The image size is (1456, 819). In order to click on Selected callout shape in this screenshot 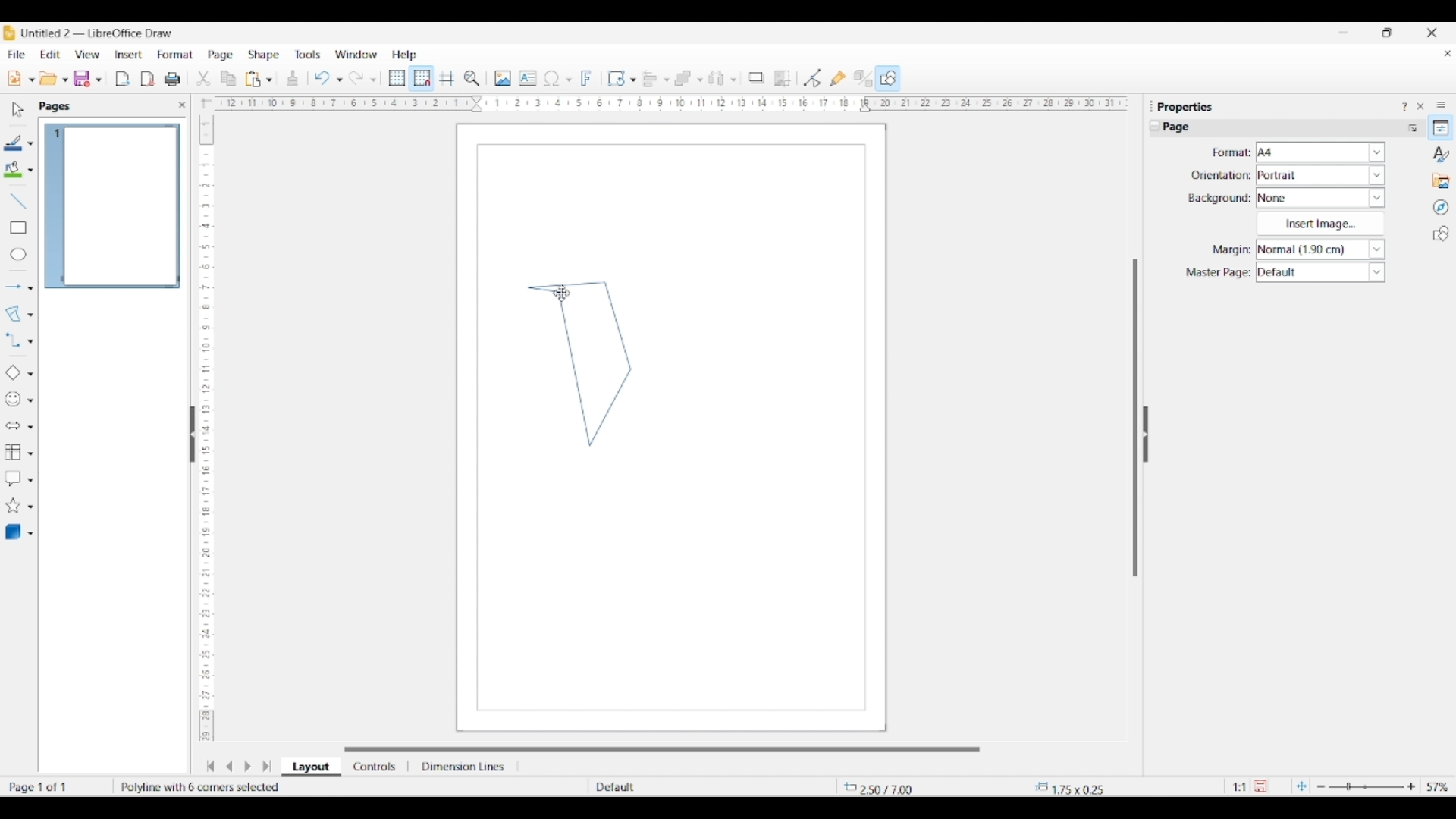, I will do `click(13, 479)`.